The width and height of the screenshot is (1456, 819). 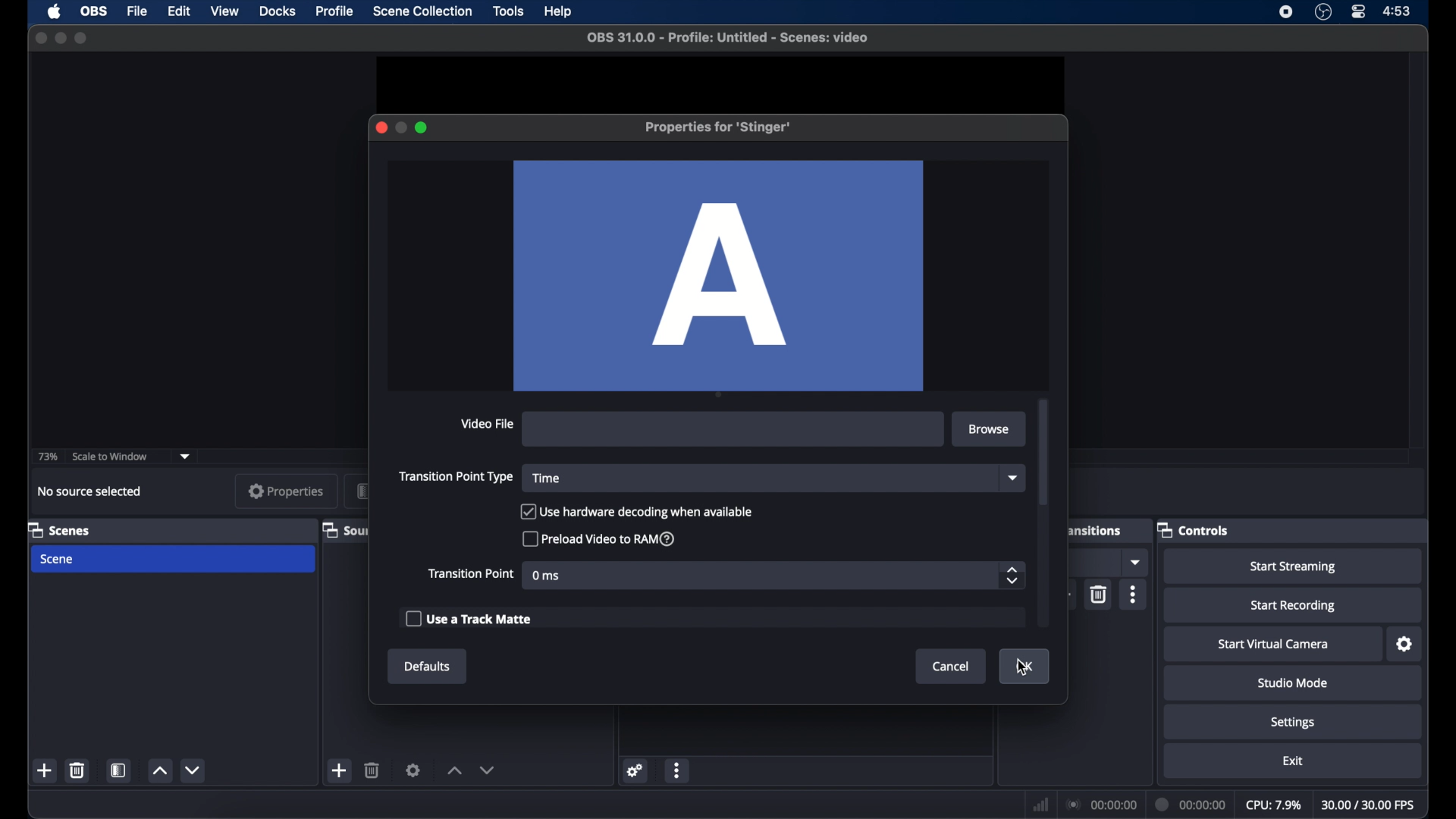 What do you see at coordinates (424, 11) in the screenshot?
I see `scene collection` at bounding box center [424, 11].